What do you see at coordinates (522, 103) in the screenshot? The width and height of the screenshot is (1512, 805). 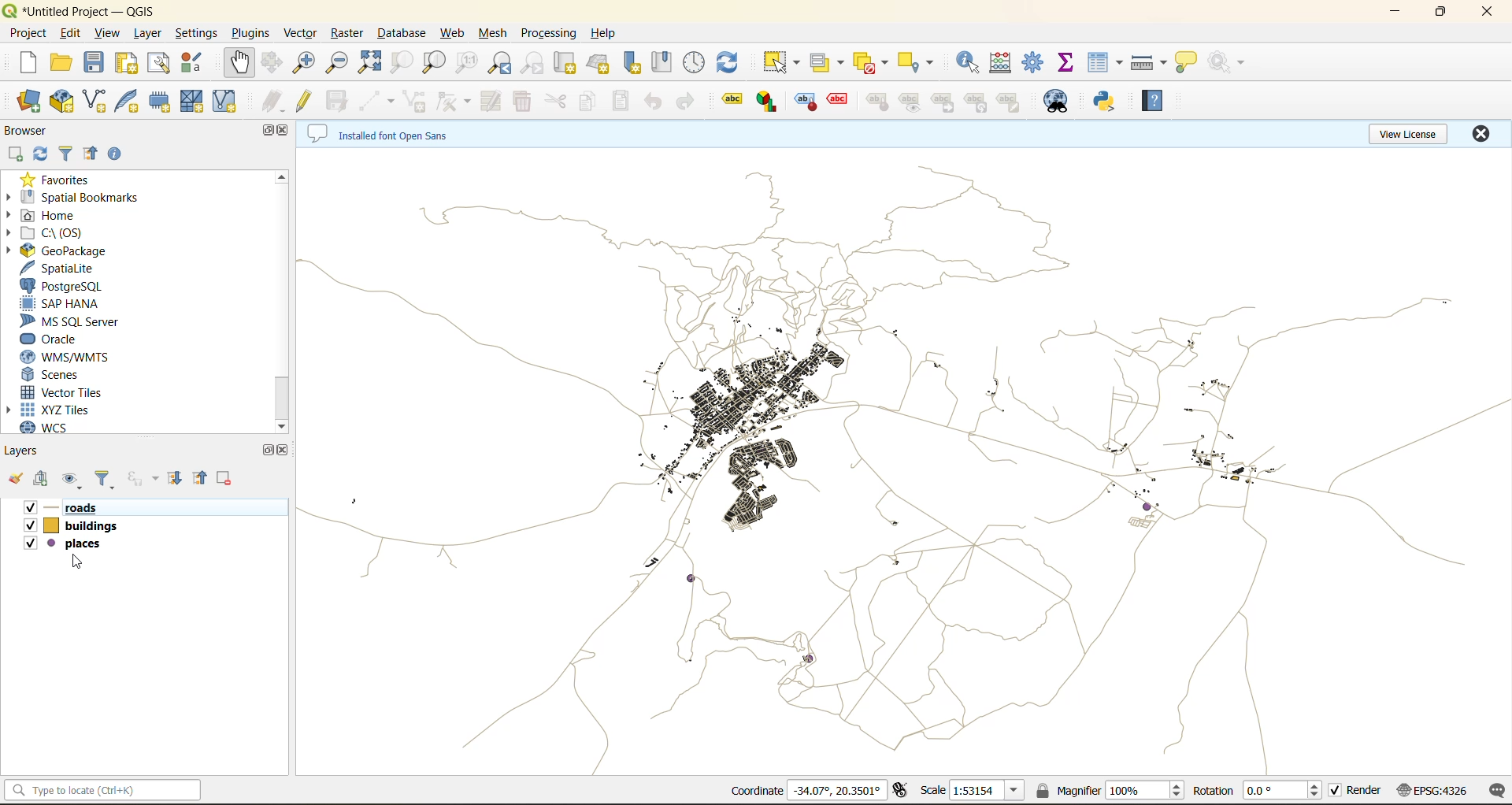 I see `delete` at bounding box center [522, 103].